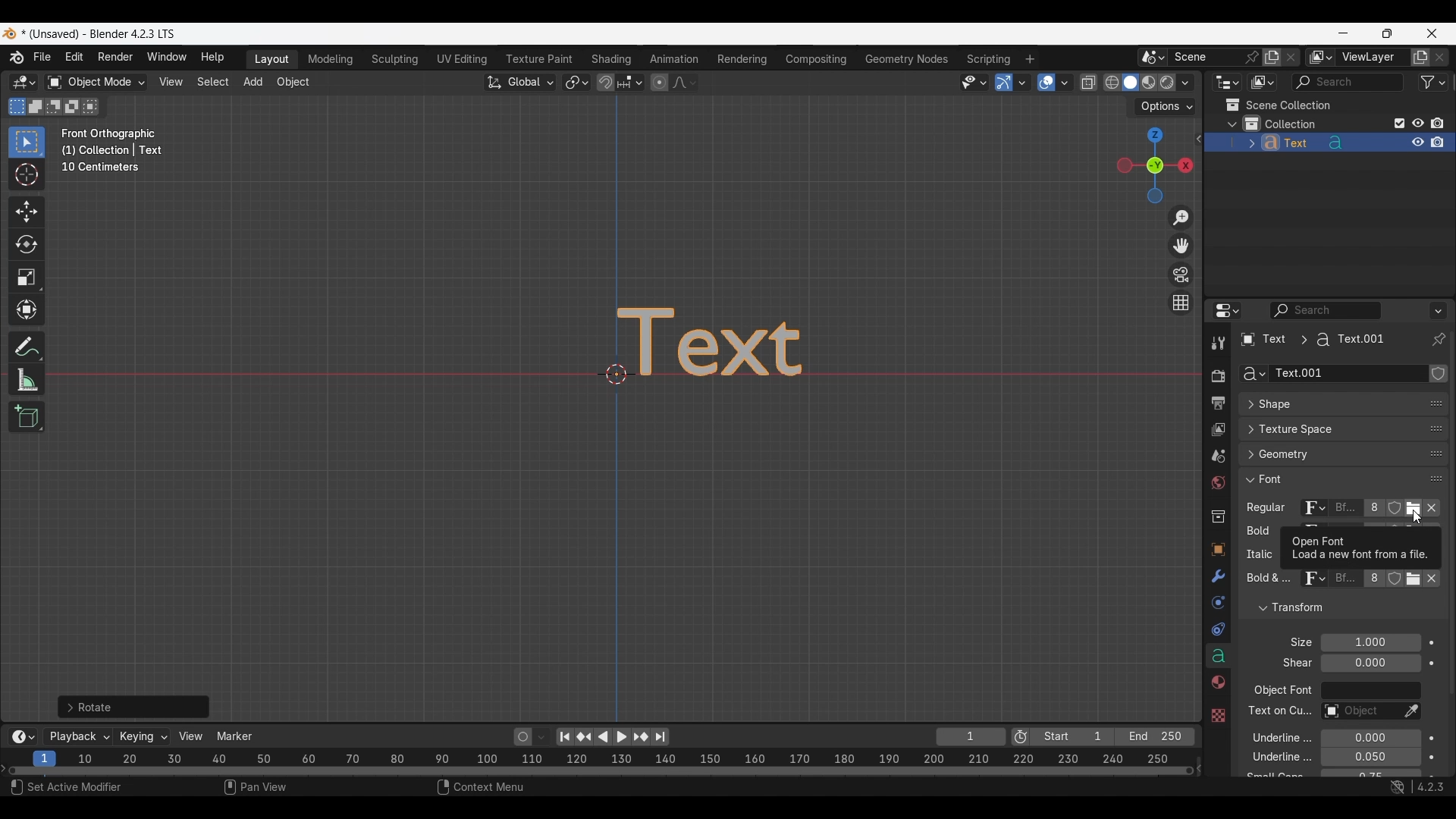 The width and height of the screenshot is (1456, 819). I want to click on Toggle pin ID, so click(1438, 340).